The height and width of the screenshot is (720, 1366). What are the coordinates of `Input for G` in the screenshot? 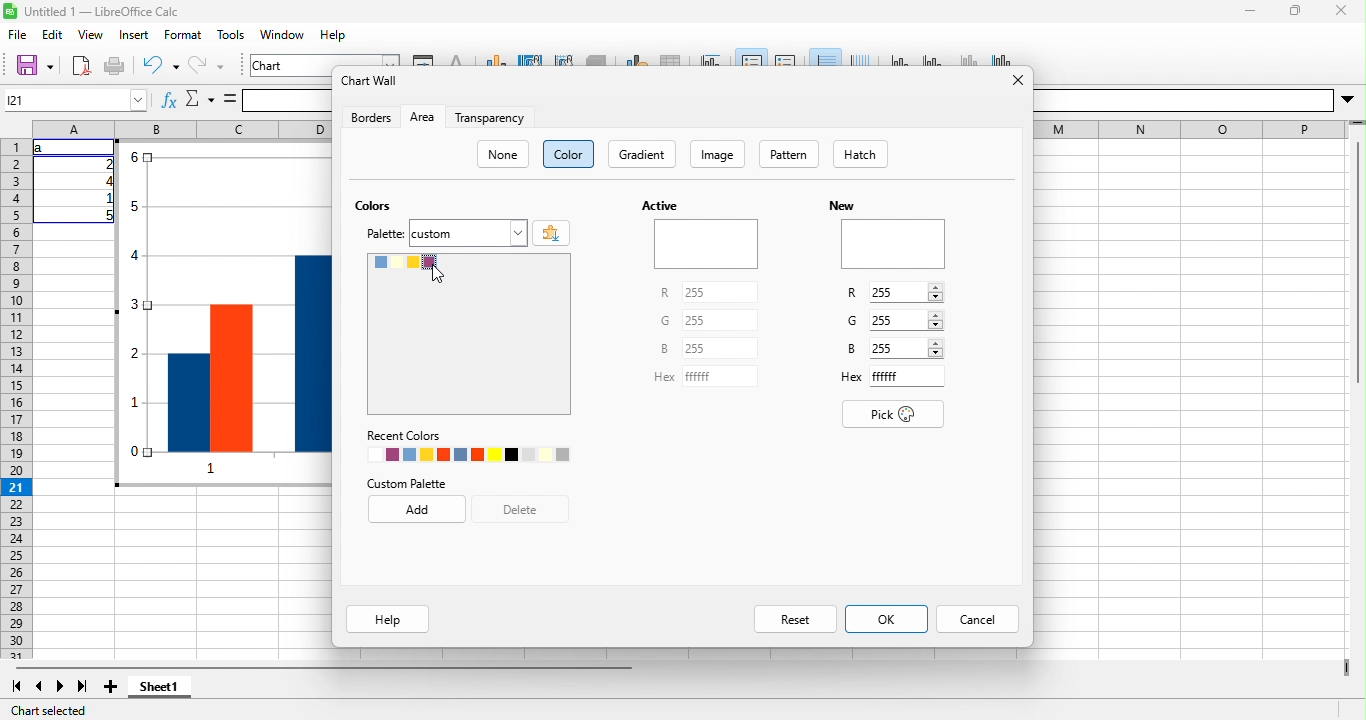 It's located at (720, 320).